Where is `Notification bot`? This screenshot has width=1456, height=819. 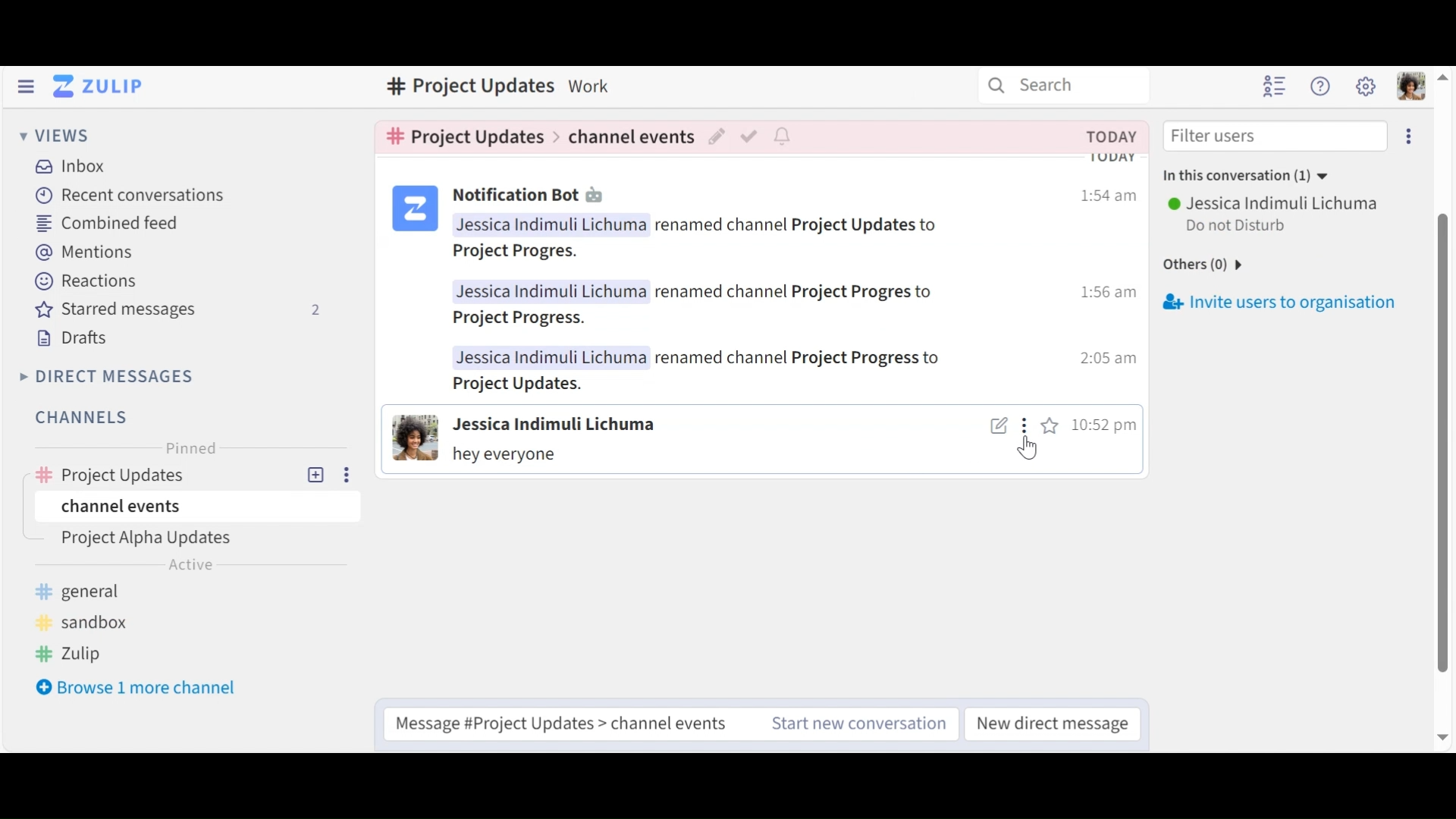 Notification bot is located at coordinates (532, 196).